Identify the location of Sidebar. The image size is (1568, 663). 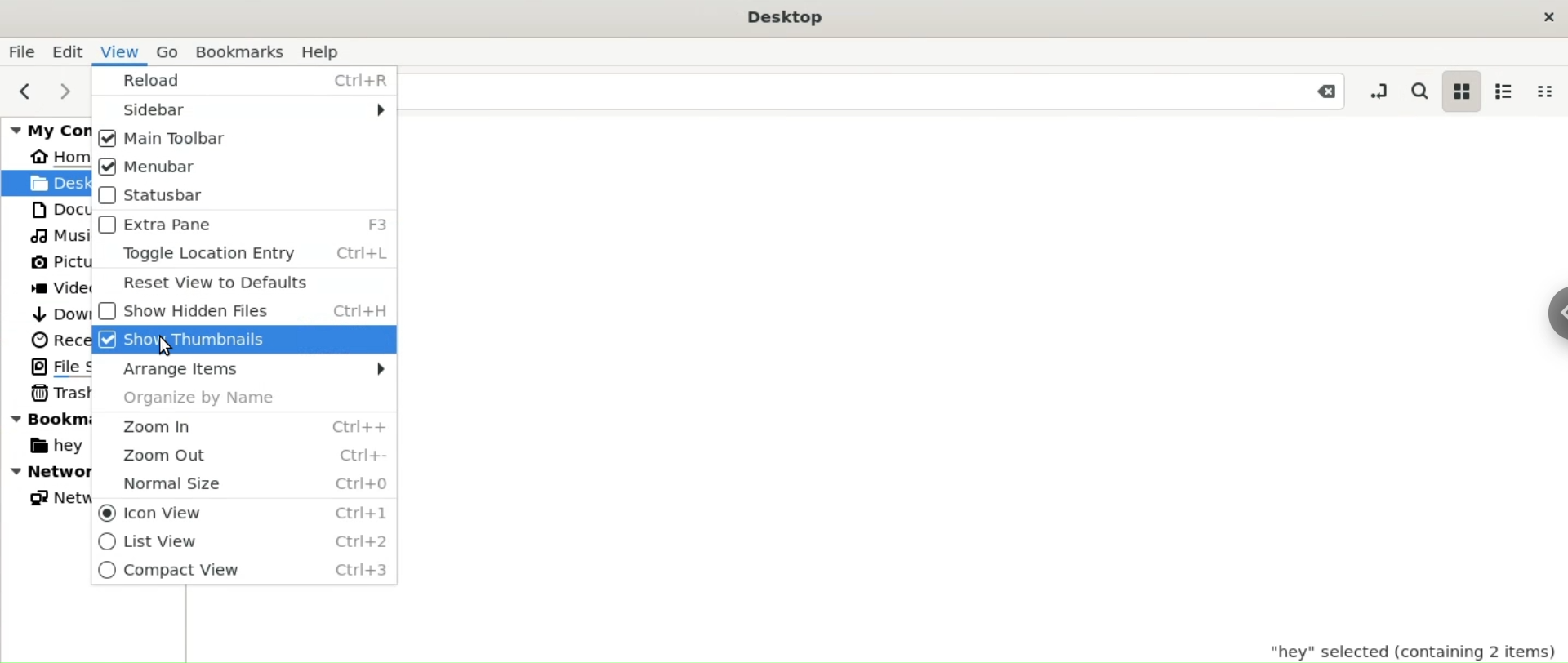
(1550, 315).